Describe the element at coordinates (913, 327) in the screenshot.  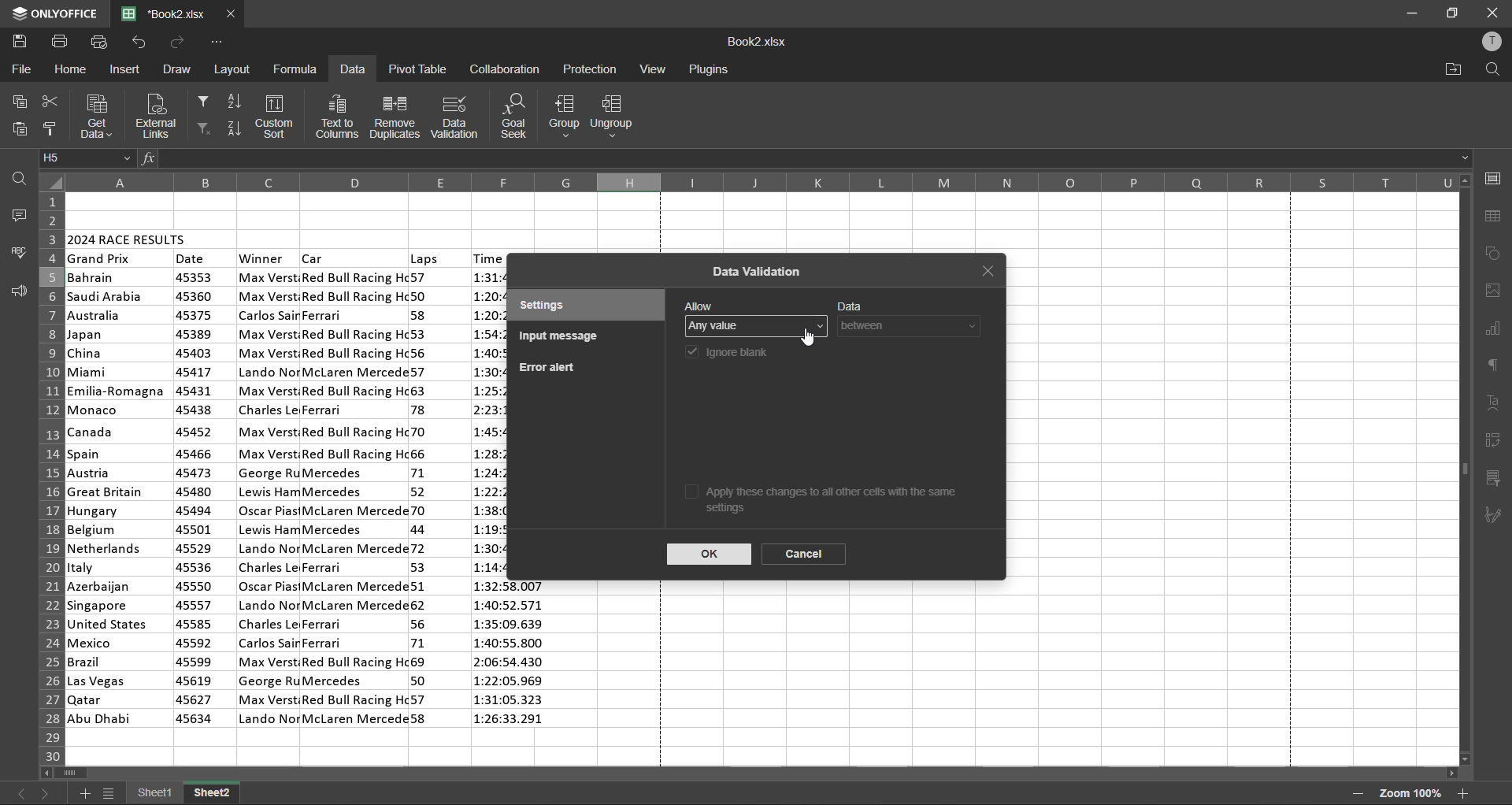
I see `data` at that location.